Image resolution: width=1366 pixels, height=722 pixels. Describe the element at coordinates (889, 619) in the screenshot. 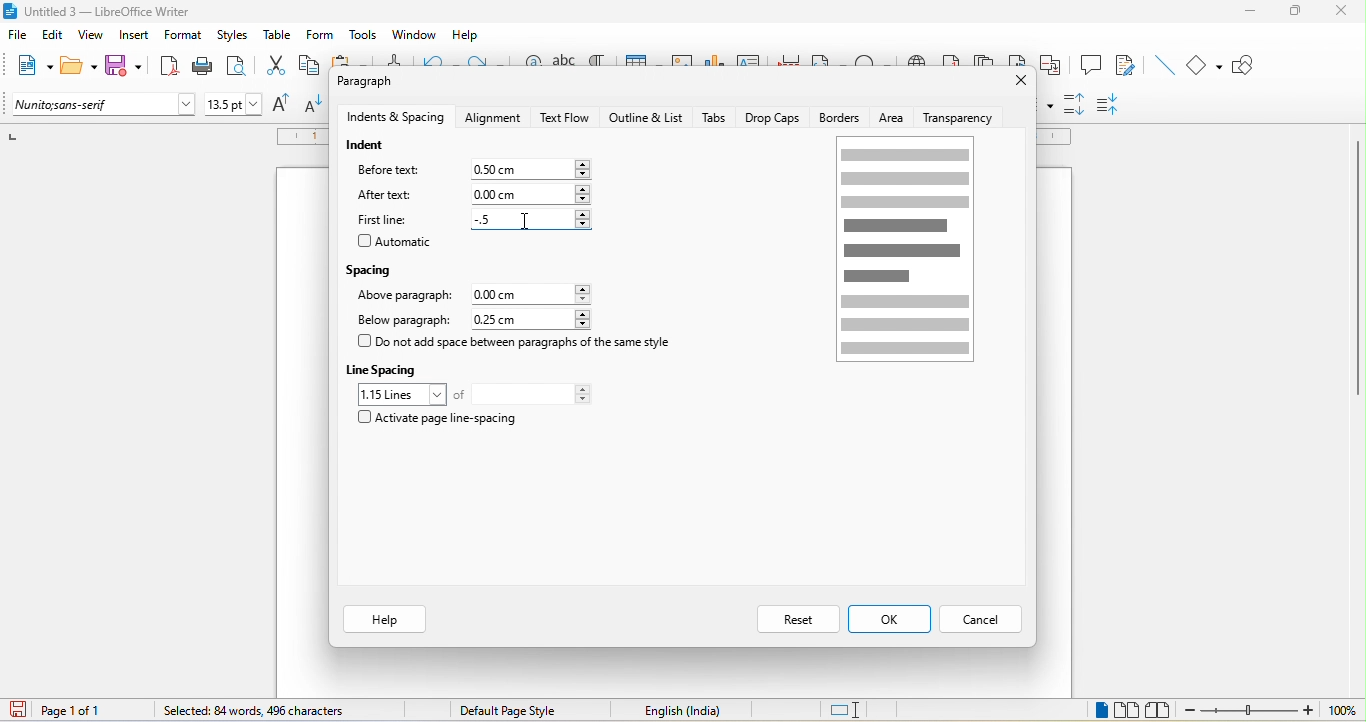

I see `ok` at that location.